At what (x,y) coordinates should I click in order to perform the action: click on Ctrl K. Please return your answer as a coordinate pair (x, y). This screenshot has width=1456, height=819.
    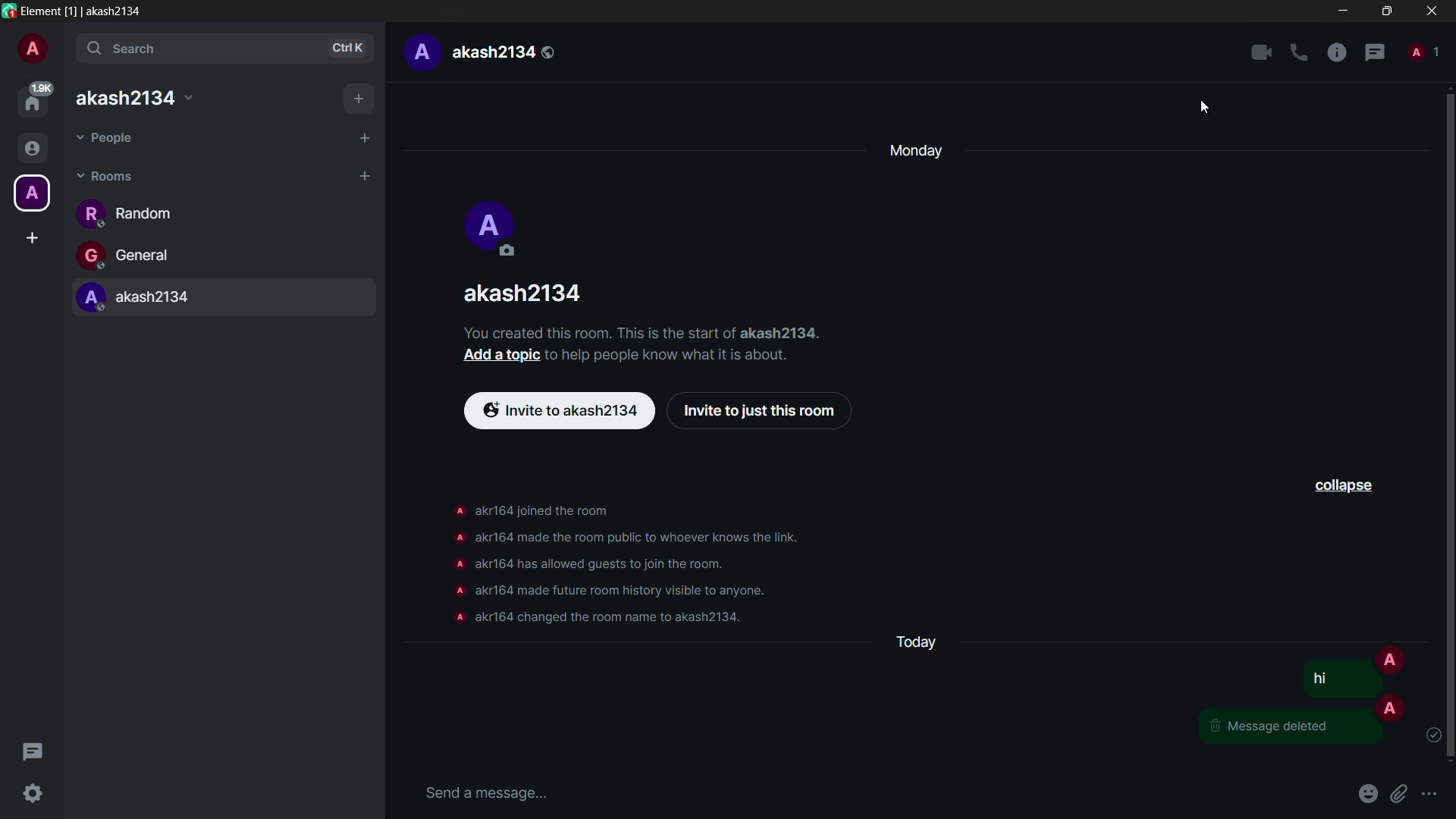
    Looking at the image, I should click on (348, 49).